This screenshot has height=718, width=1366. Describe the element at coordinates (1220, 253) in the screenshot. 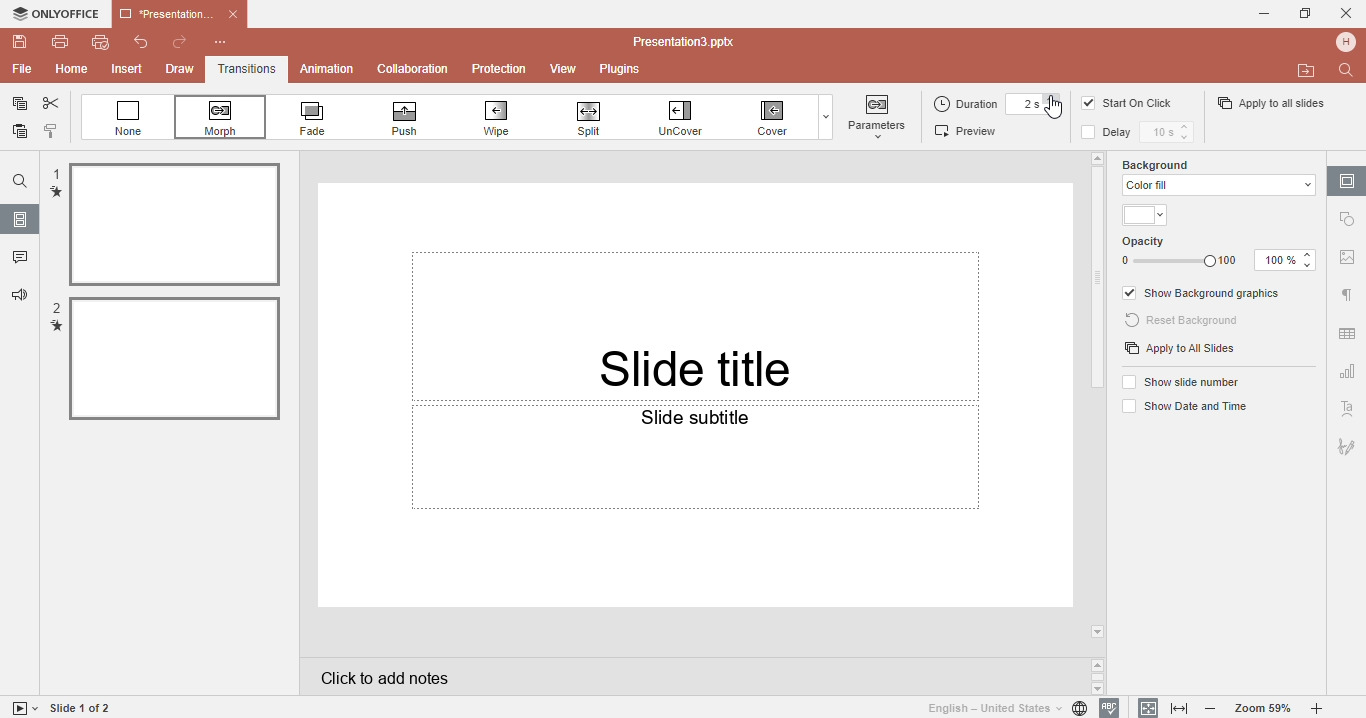

I see `Opacity` at that location.